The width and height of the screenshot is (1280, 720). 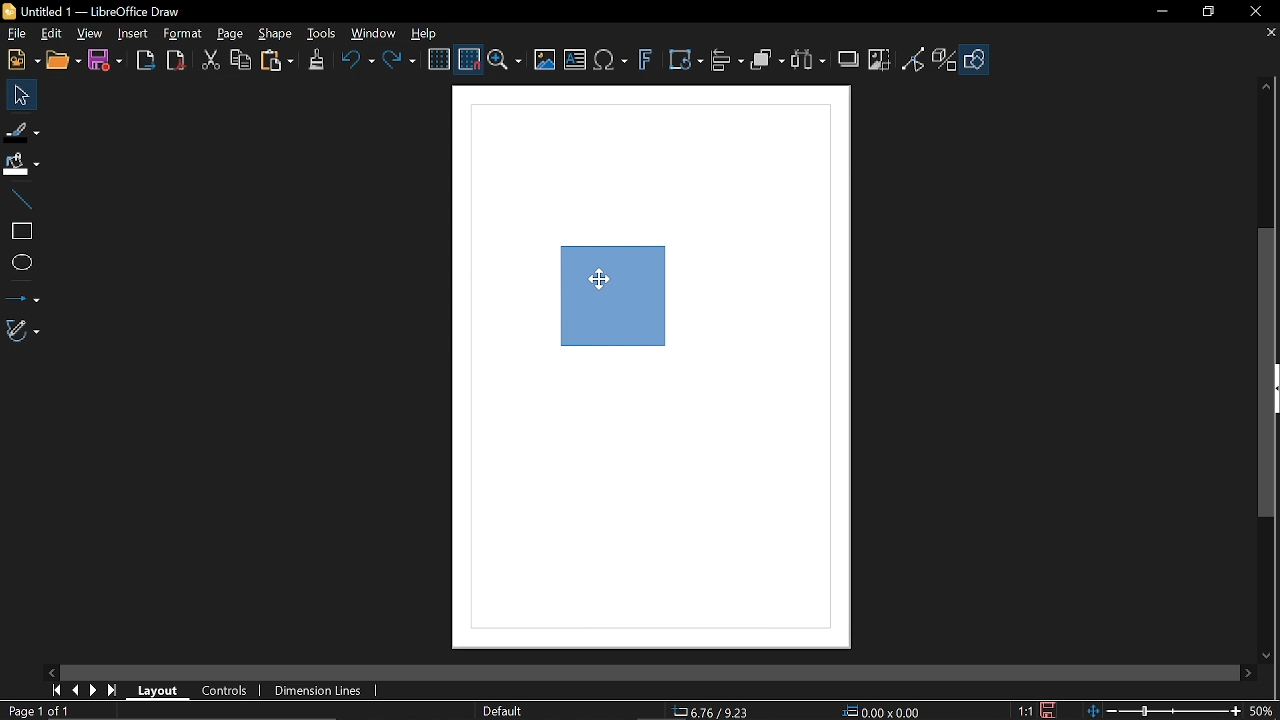 I want to click on Move, so click(x=20, y=94).